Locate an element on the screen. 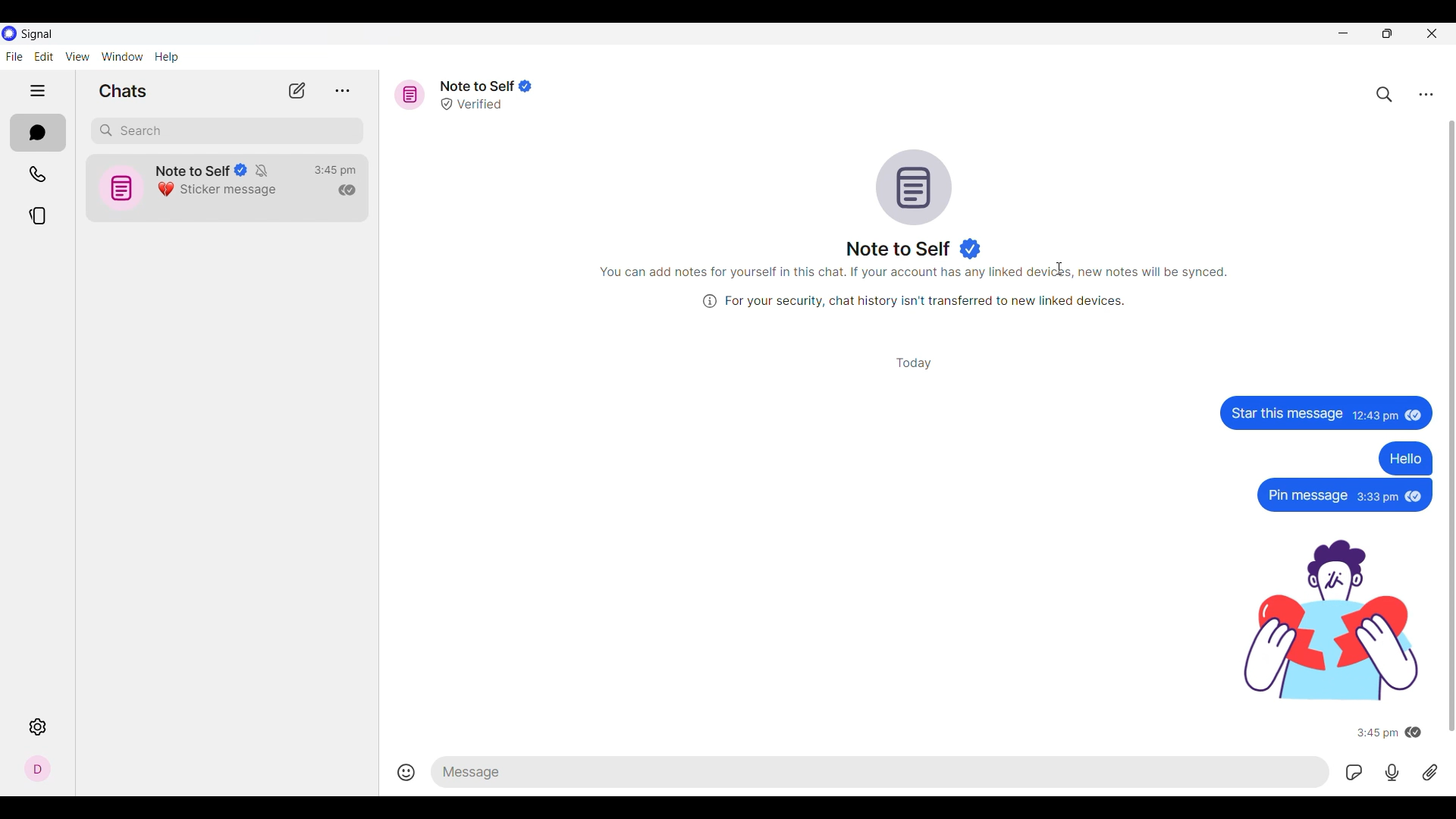 Image resolution: width=1456 pixels, height=819 pixels. sticker is located at coordinates (1325, 619).